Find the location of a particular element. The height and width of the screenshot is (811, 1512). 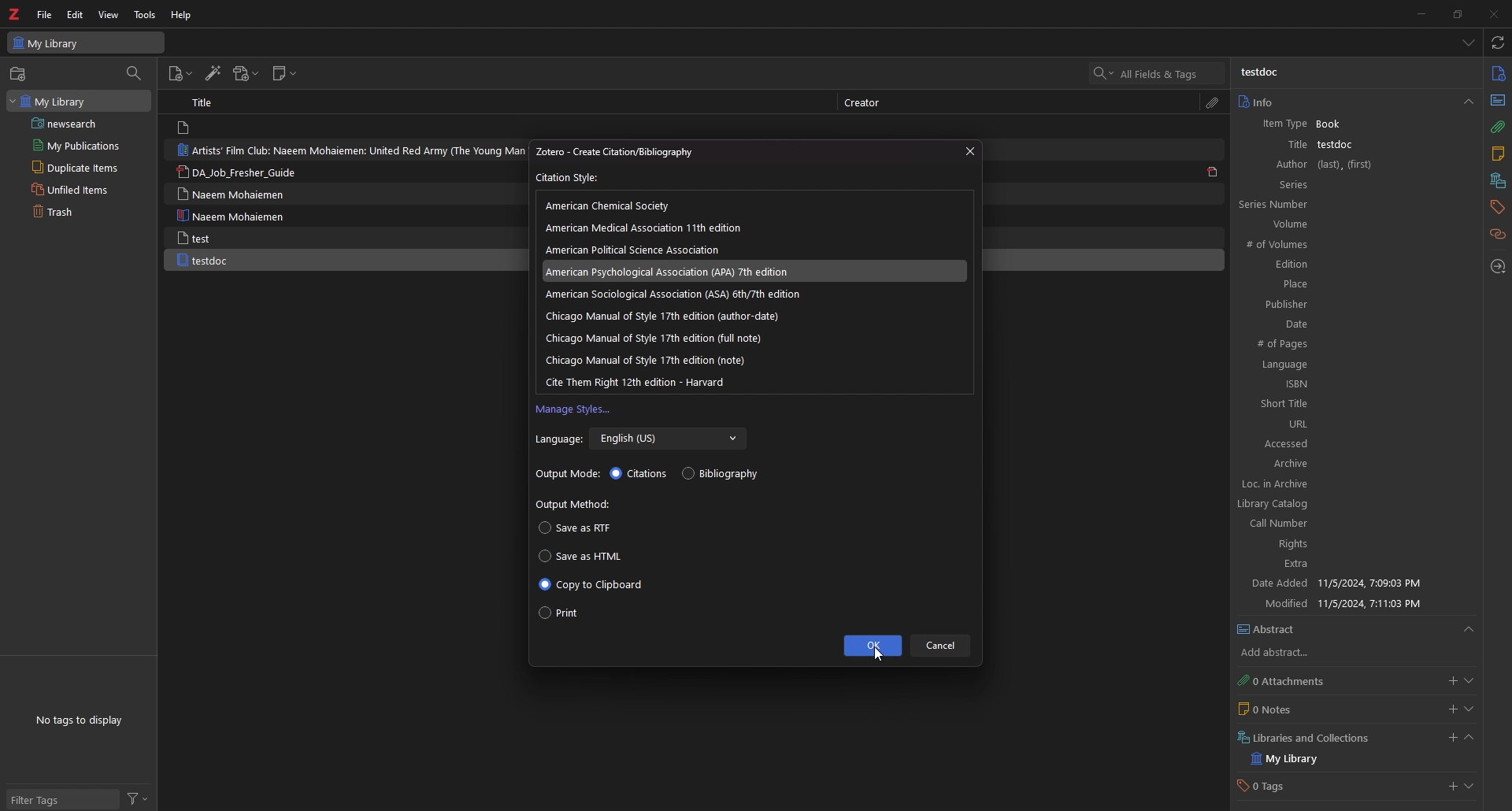

add items by identifier is located at coordinates (212, 74).